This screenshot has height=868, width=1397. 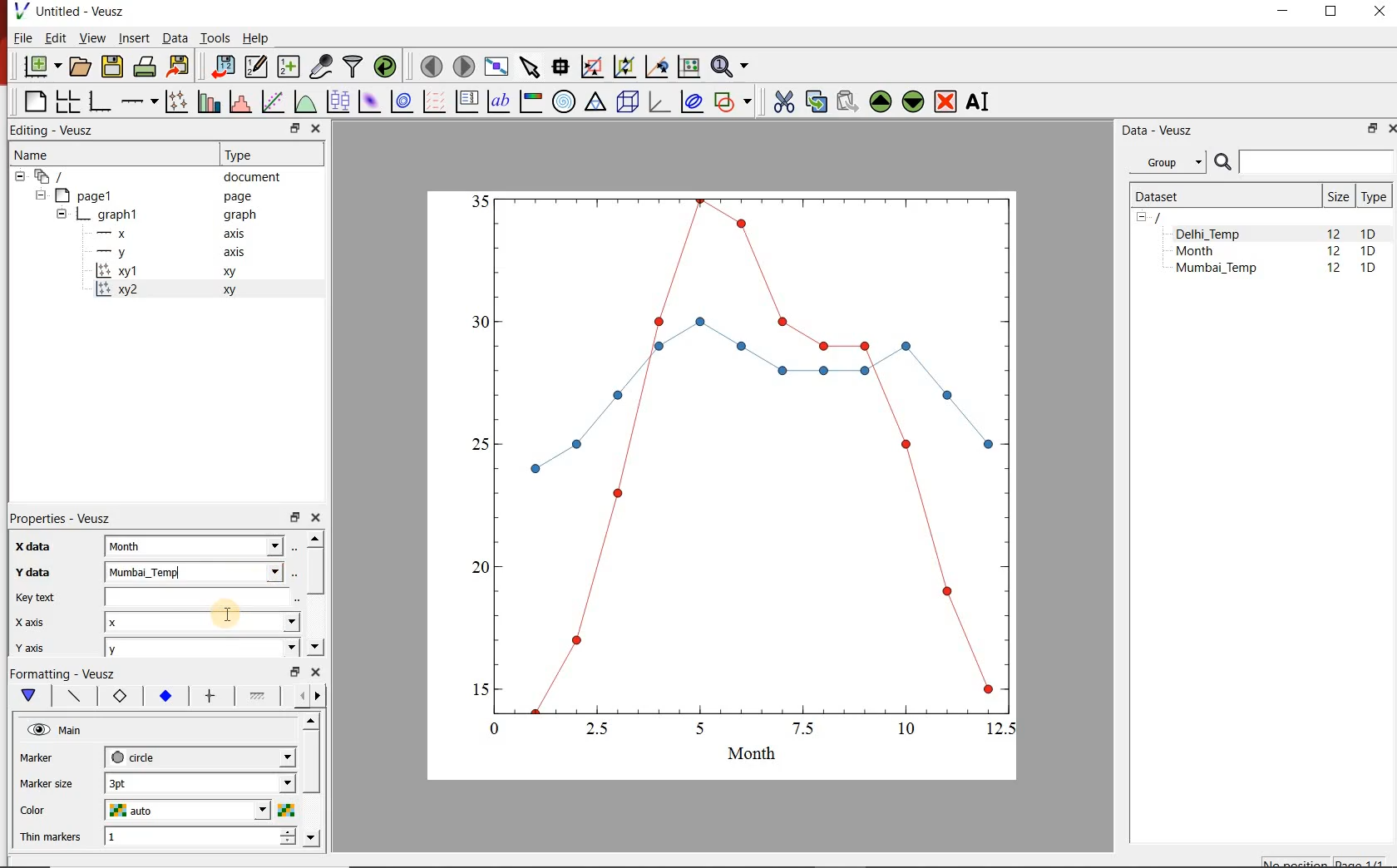 I want to click on scrollbar, so click(x=314, y=594).